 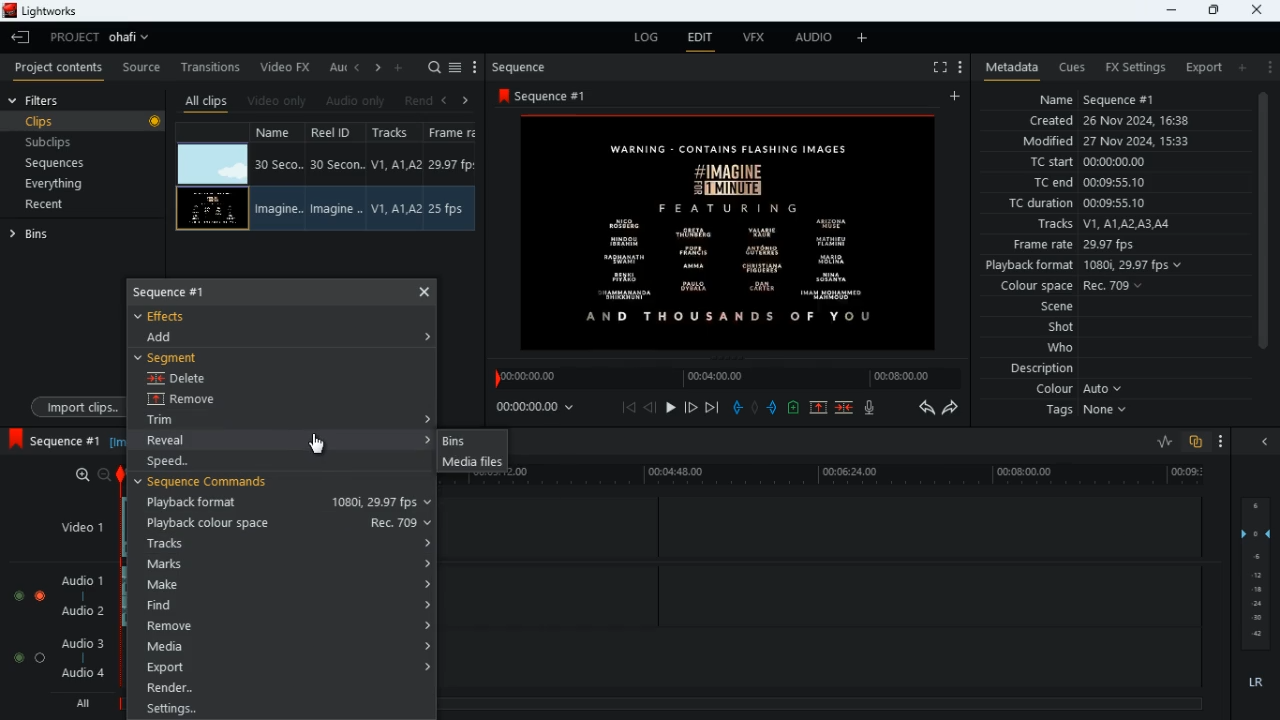 I want to click on up, so click(x=817, y=408).